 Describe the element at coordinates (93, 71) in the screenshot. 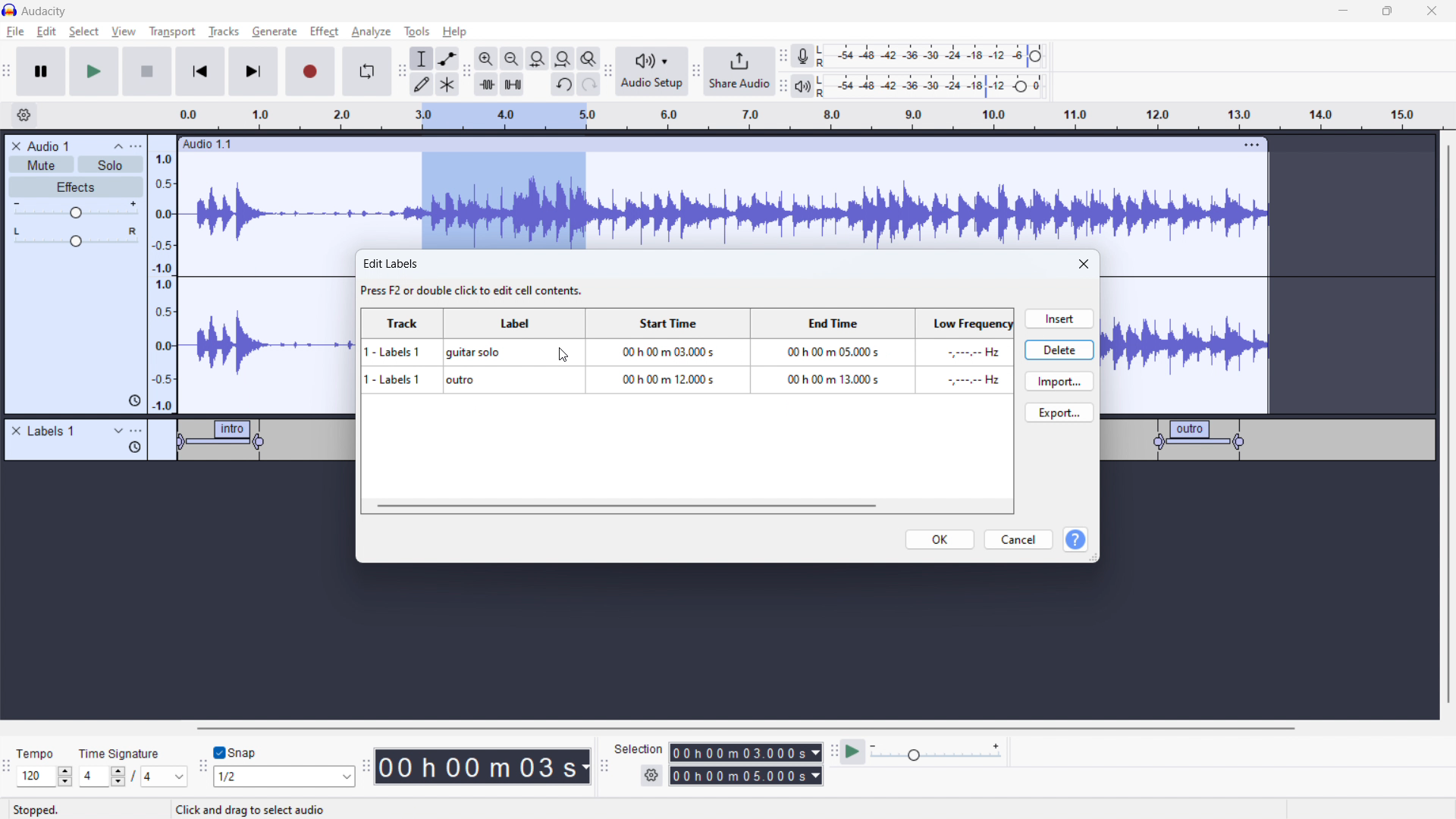

I see `play` at that location.